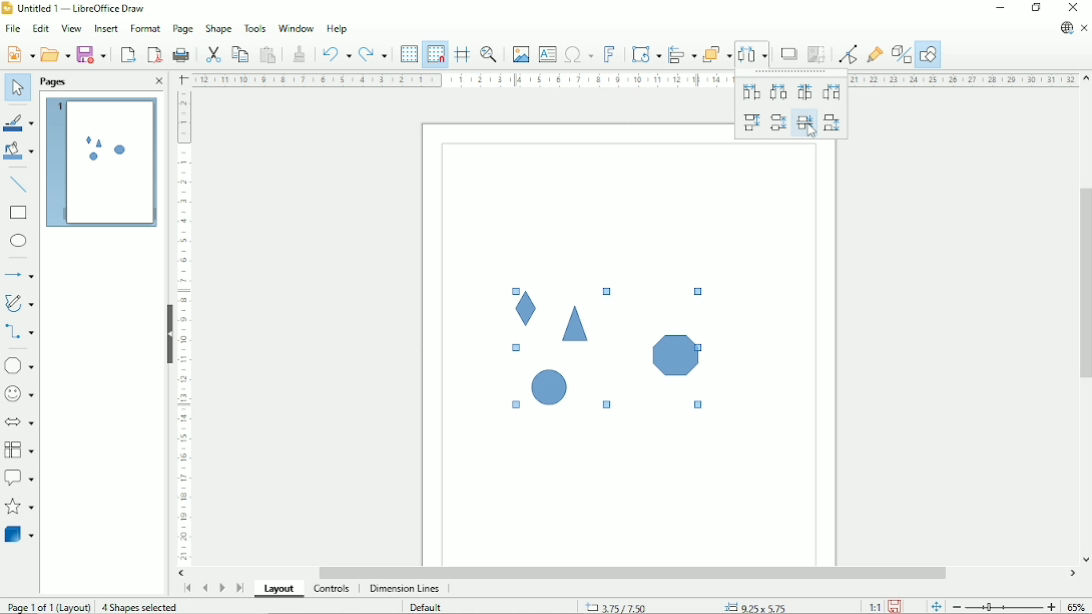 This screenshot has width=1092, height=614. What do you see at coordinates (239, 53) in the screenshot?
I see `Copy` at bounding box center [239, 53].